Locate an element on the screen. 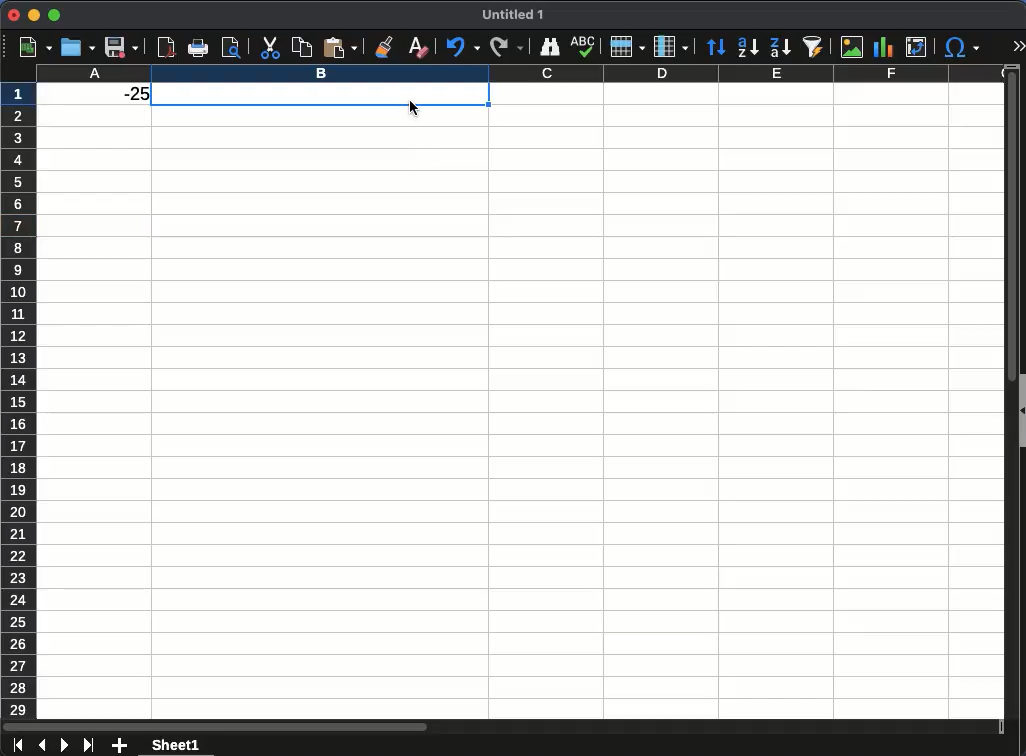 The image size is (1026, 756). finder is located at coordinates (551, 47).